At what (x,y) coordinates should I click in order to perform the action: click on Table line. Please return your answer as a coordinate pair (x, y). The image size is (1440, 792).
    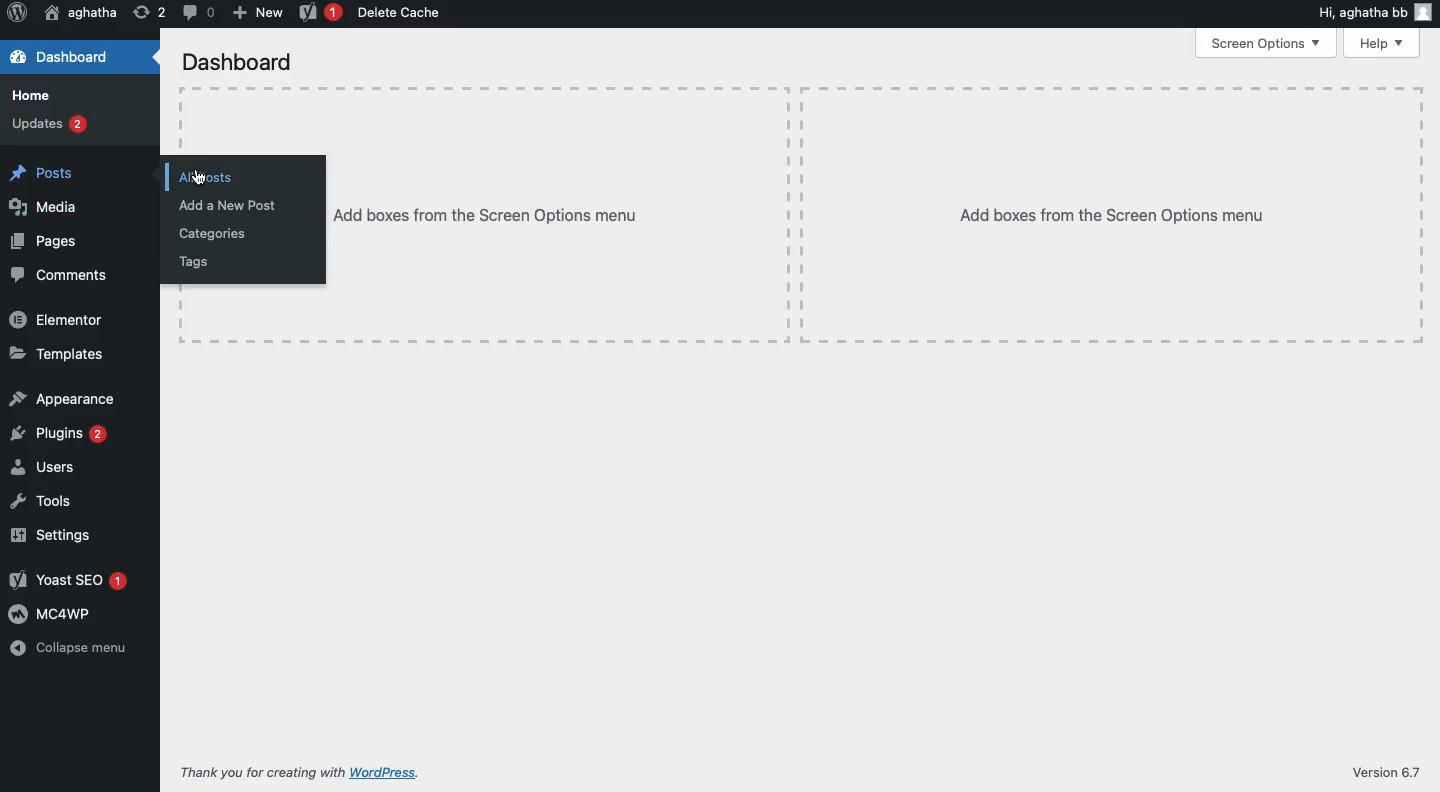
    Looking at the image, I should click on (1423, 216).